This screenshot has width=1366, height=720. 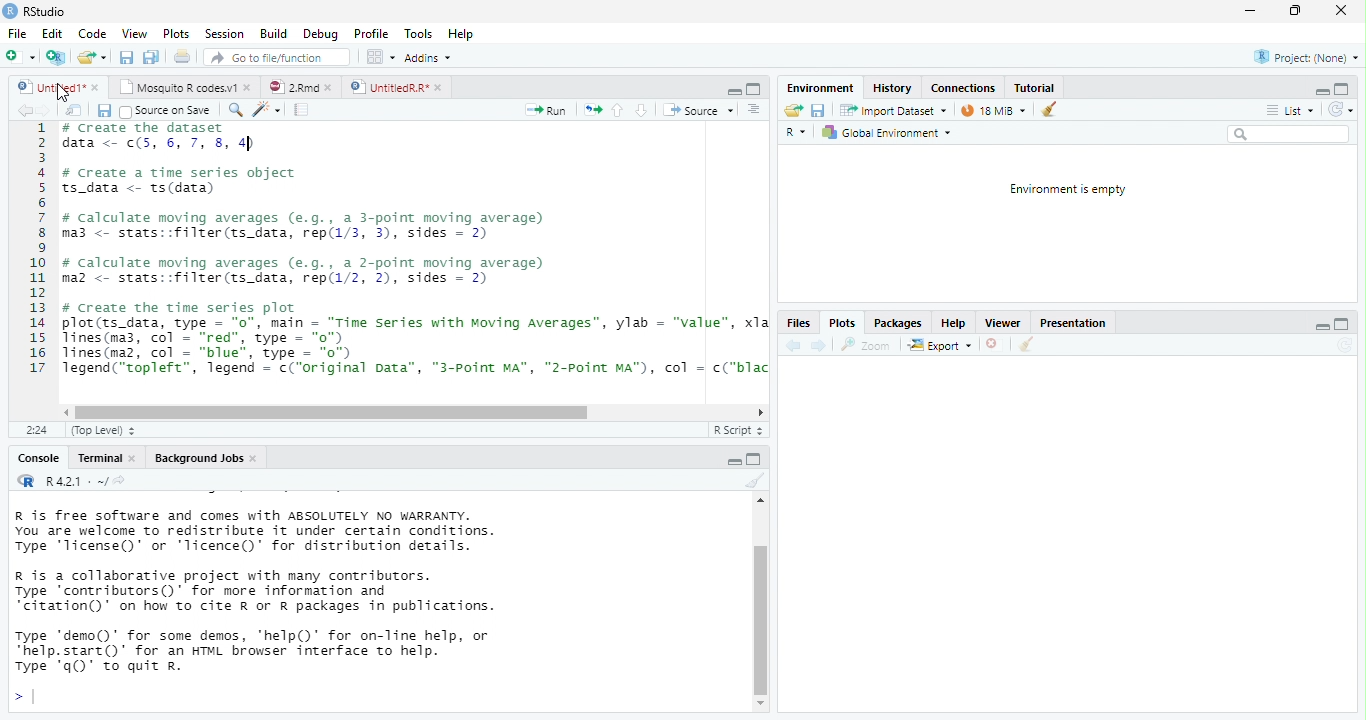 What do you see at coordinates (797, 324) in the screenshot?
I see `Files` at bounding box center [797, 324].